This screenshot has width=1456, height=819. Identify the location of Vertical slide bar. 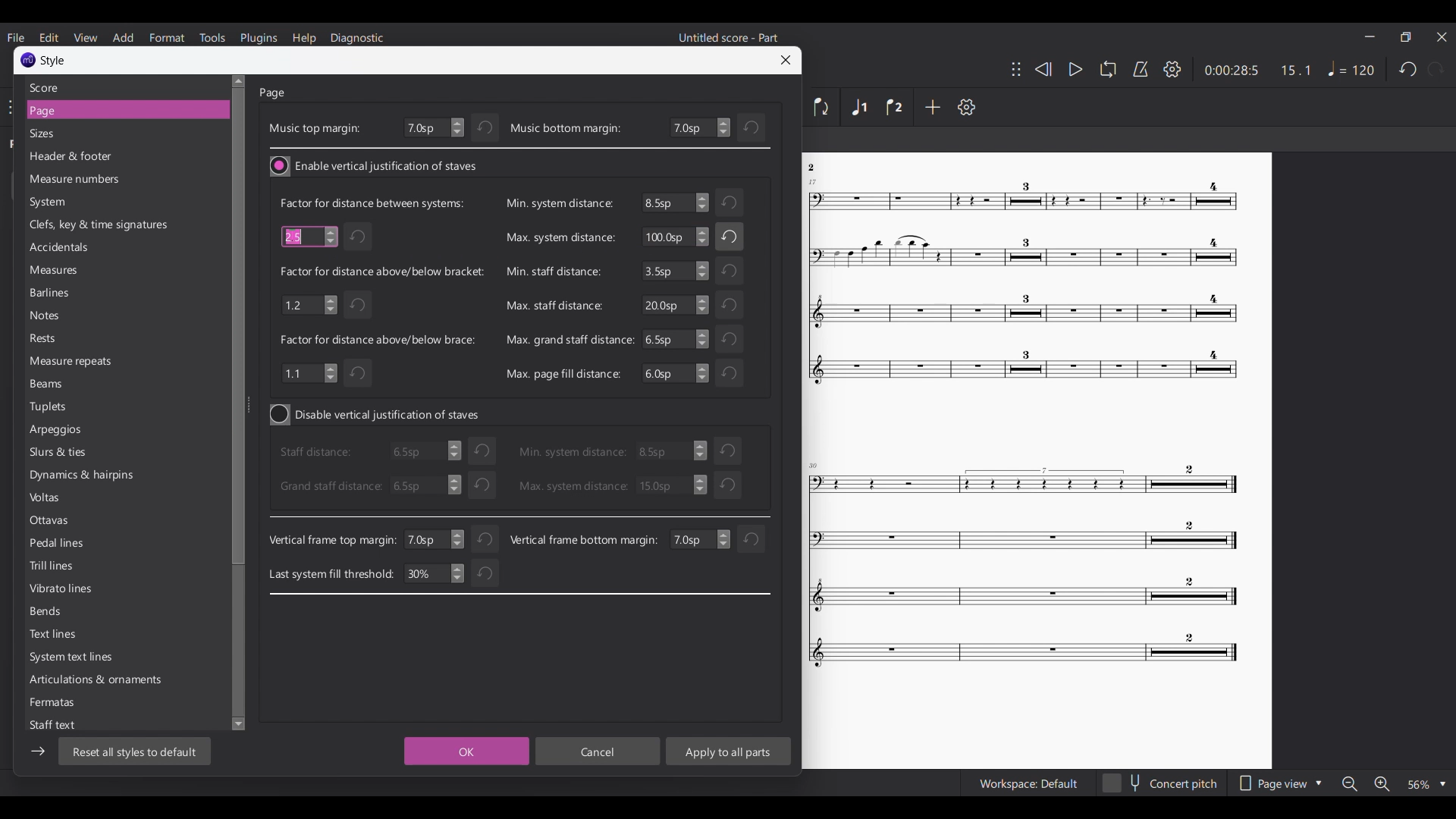
(238, 403).